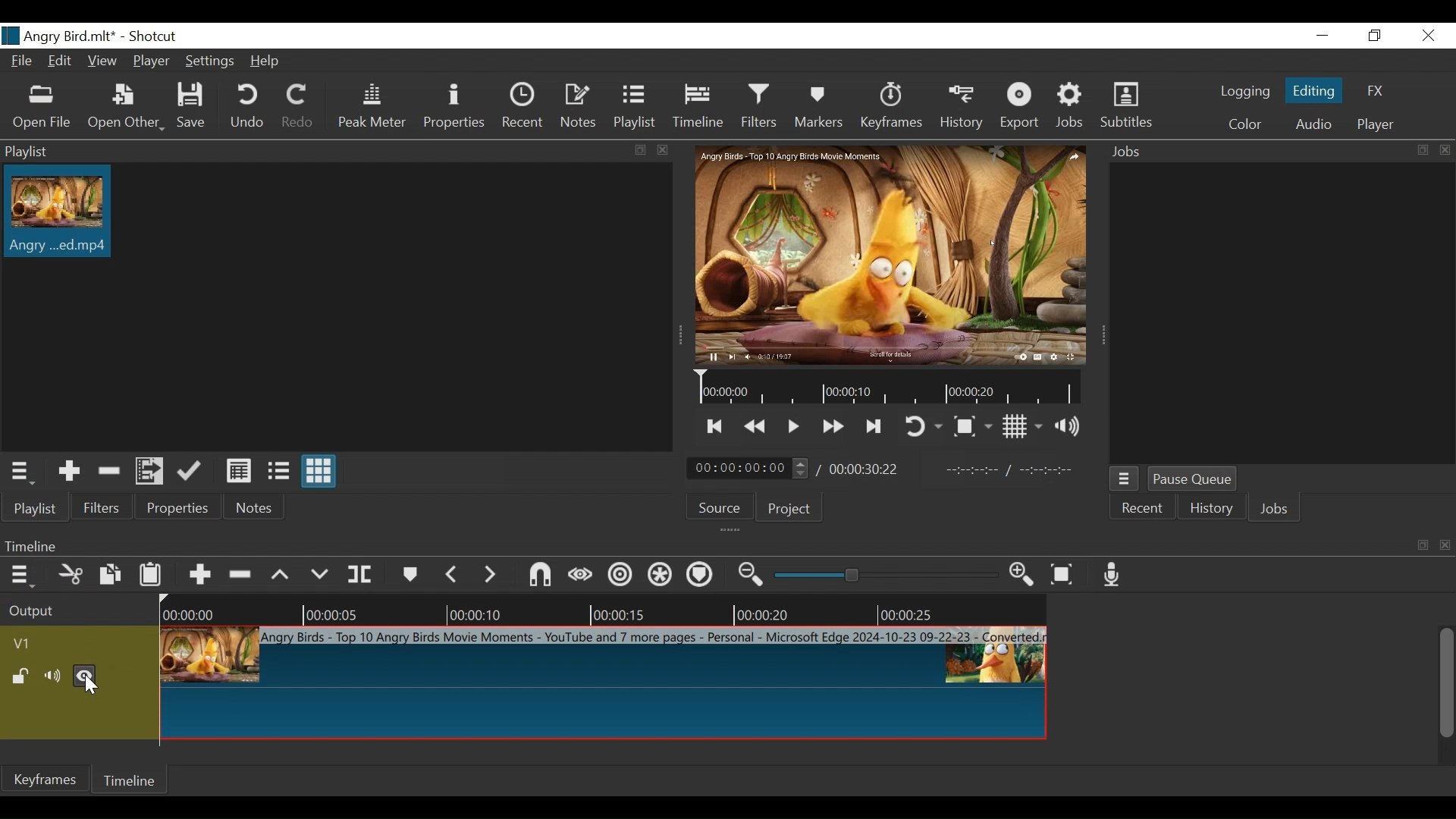 Image resolution: width=1456 pixels, height=819 pixels. What do you see at coordinates (149, 470) in the screenshot?
I see `Add the files to the playlist` at bounding box center [149, 470].